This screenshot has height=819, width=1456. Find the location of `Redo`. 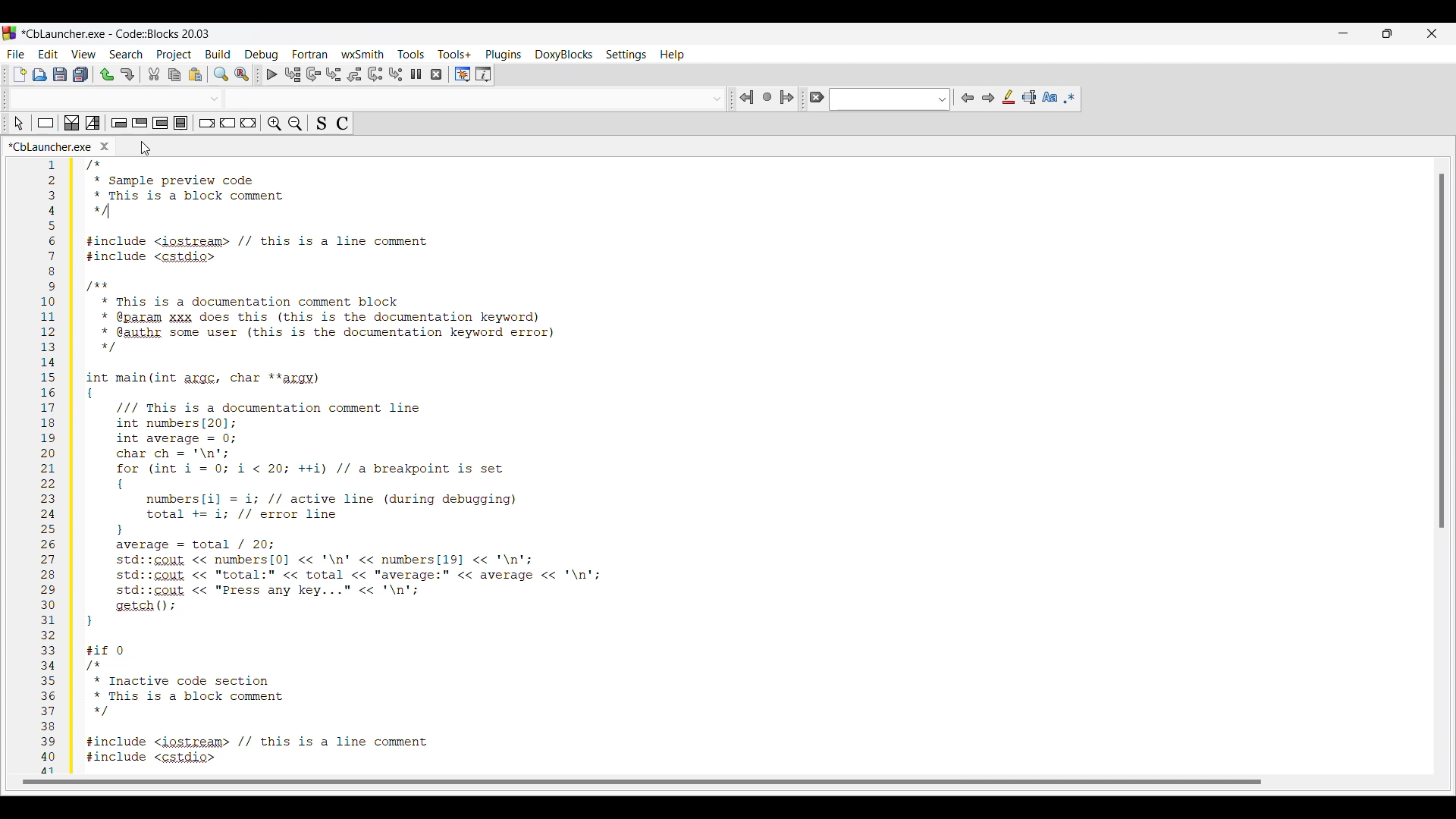

Redo is located at coordinates (127, 74).